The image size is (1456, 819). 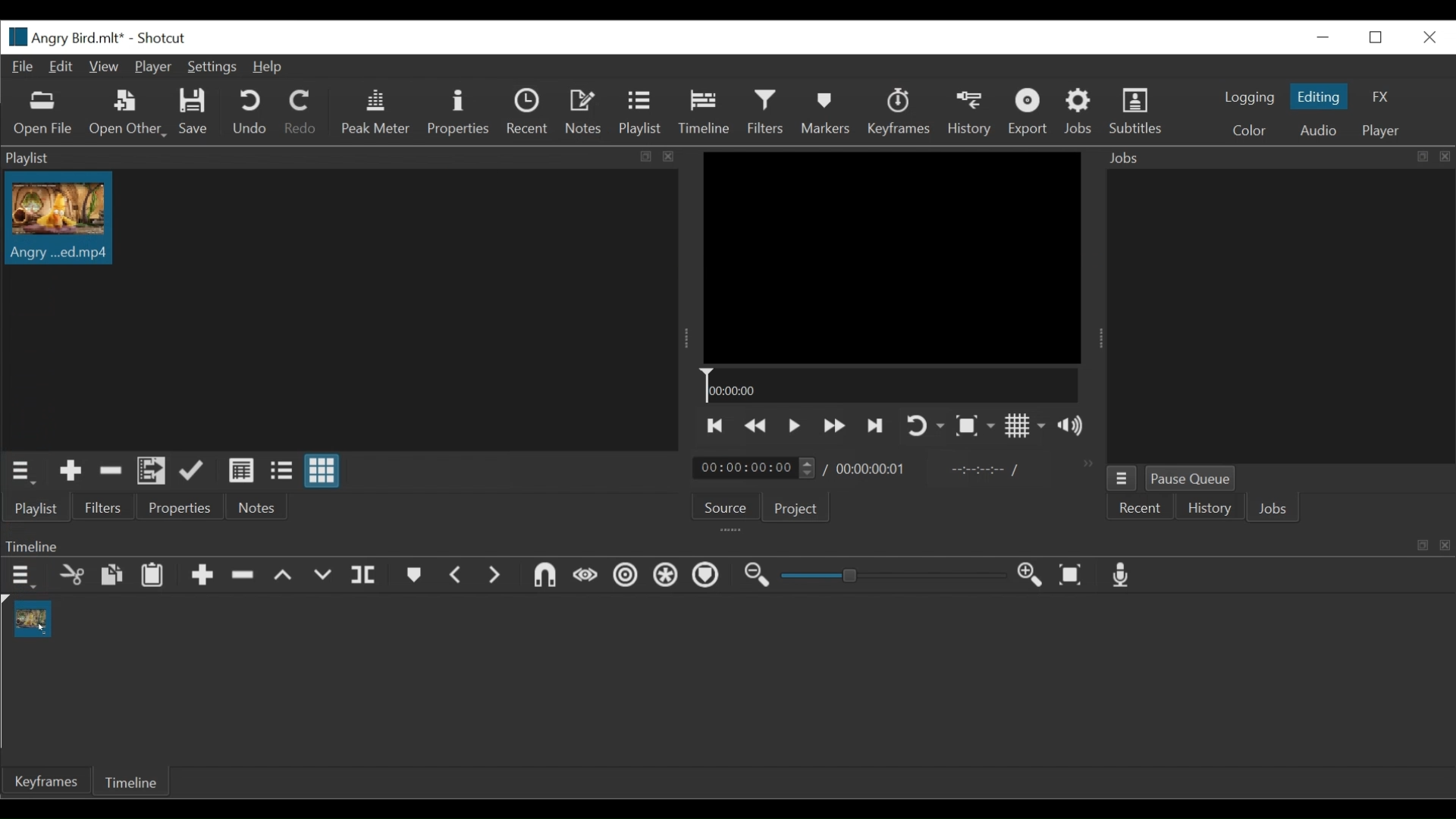 What do you see at coordinates (128, 115) in the screenshot?
I see `Open Other` at bounding box center [128, 115].